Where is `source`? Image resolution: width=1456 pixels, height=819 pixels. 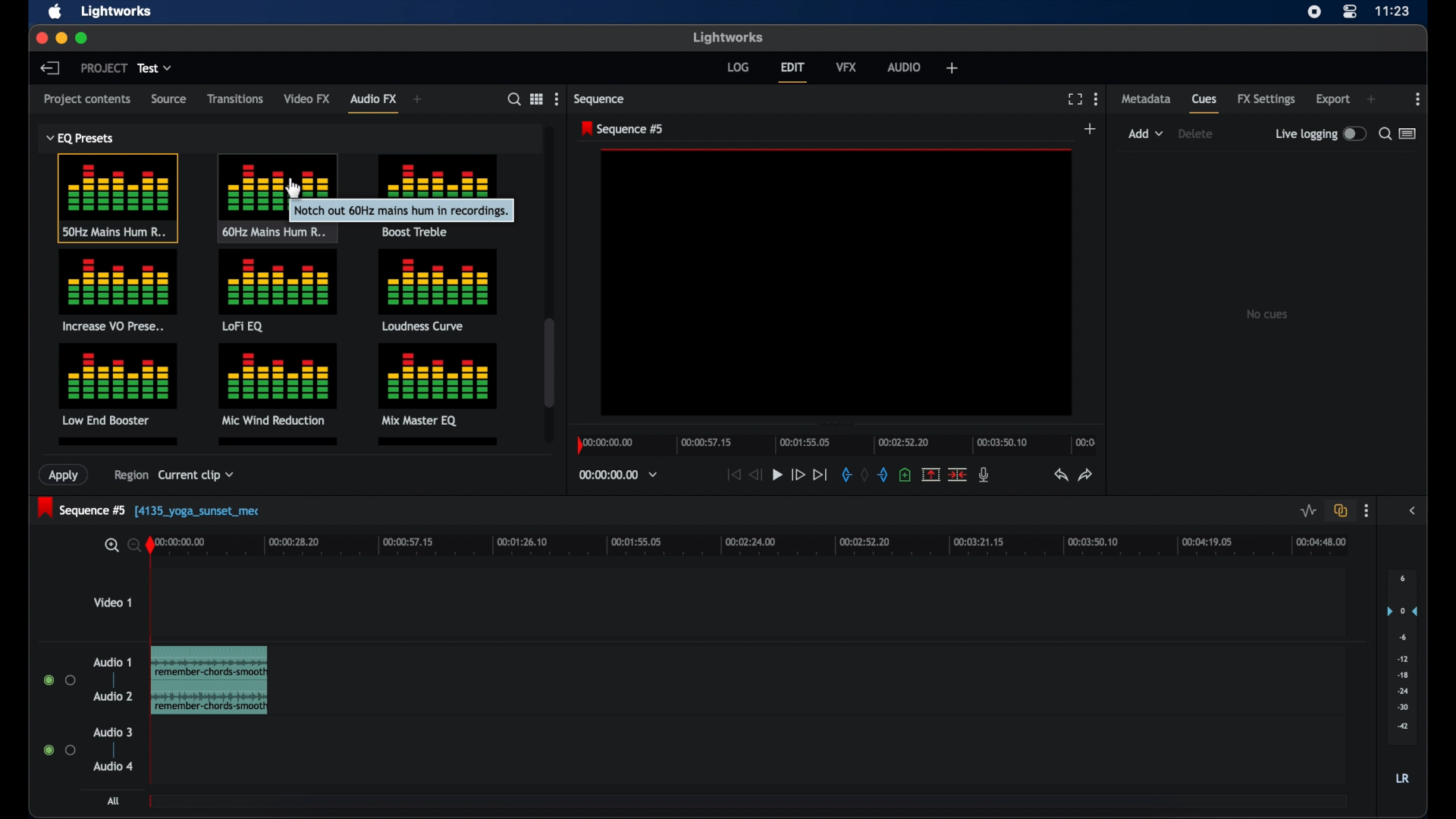
source is located at coordinates (168, 98).